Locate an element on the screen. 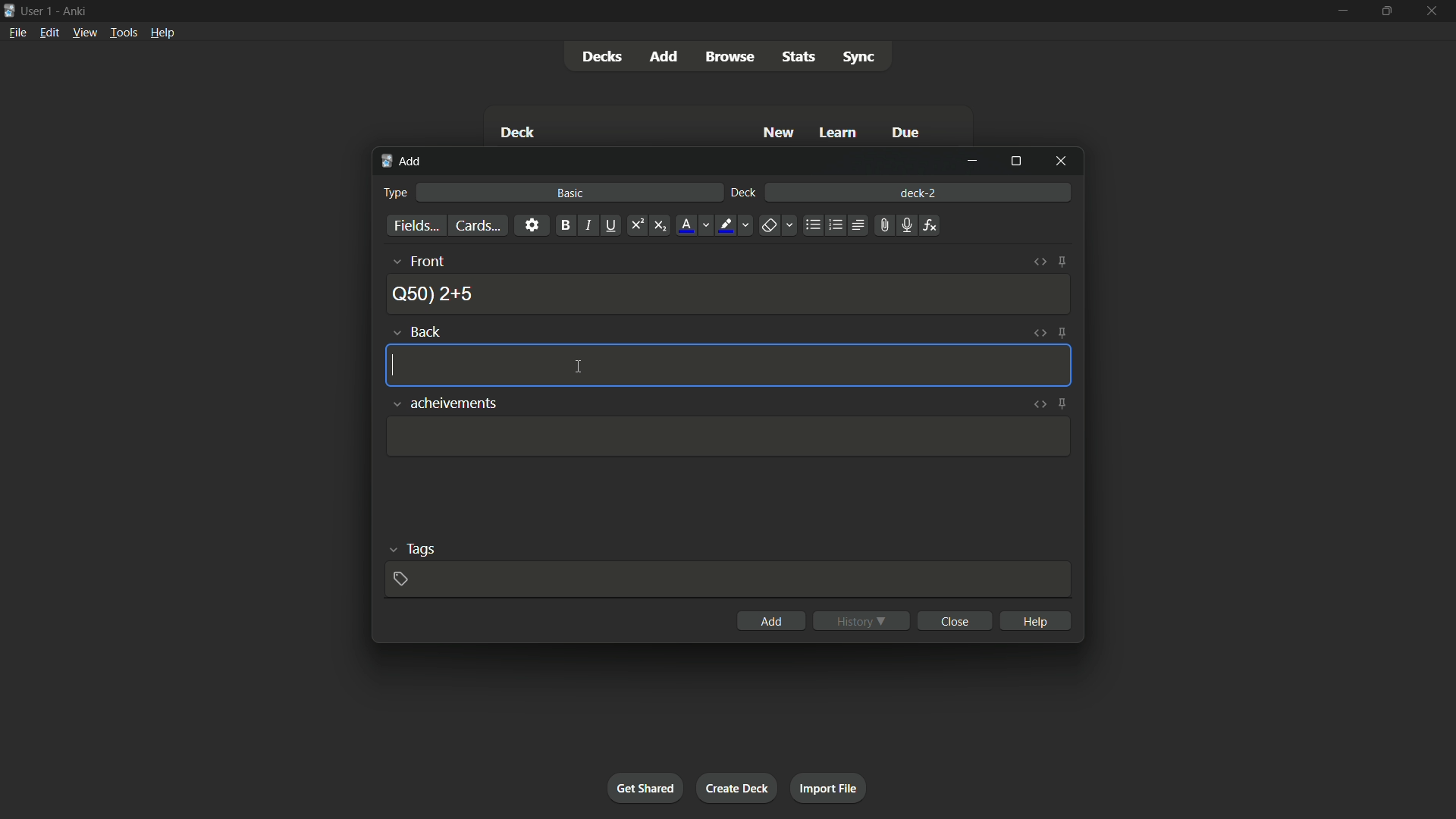 This screenshot has height=819, width=1456. toggle html editor is located at coordinates (1038, 262).